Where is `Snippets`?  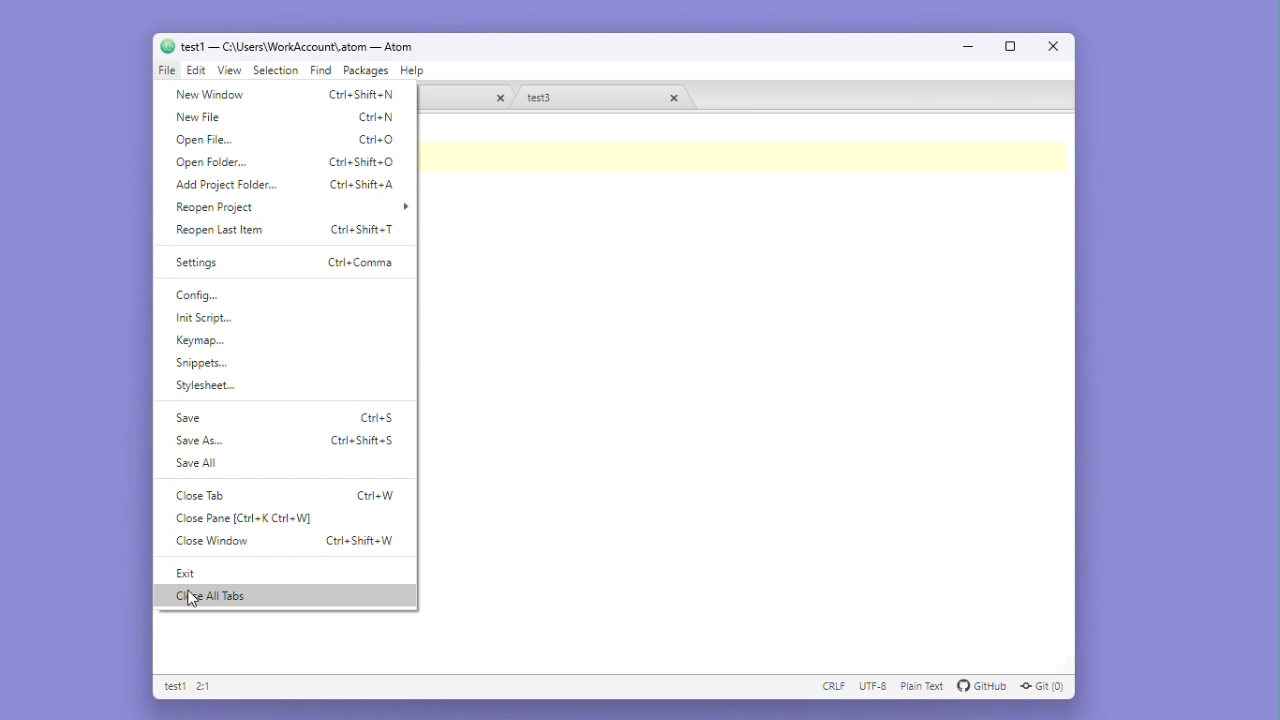 Snippets is located at coordinates (212, 362).